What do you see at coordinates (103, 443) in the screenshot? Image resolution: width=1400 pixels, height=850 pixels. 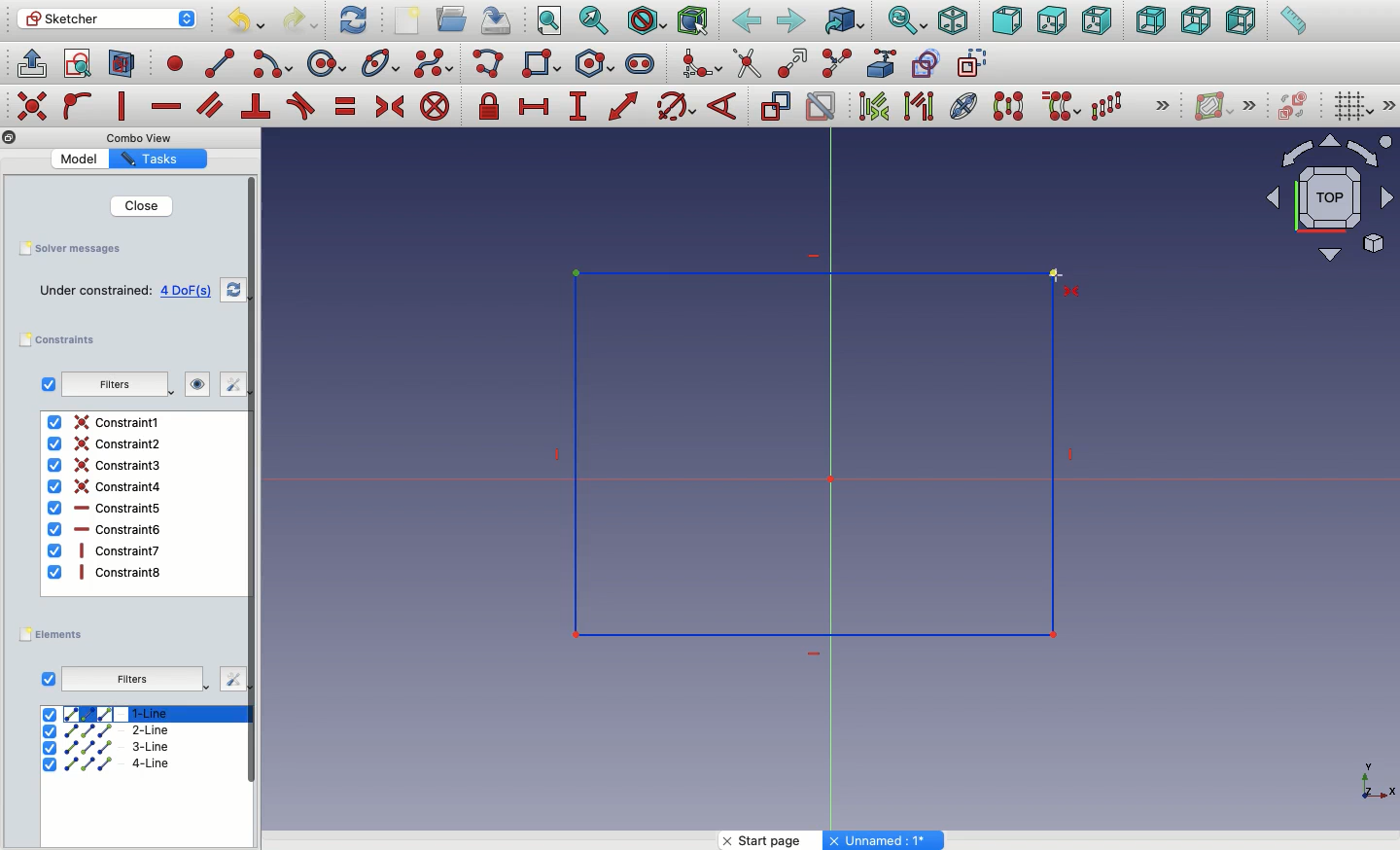 I see `Constraint2` at bounding box center [103, 443].